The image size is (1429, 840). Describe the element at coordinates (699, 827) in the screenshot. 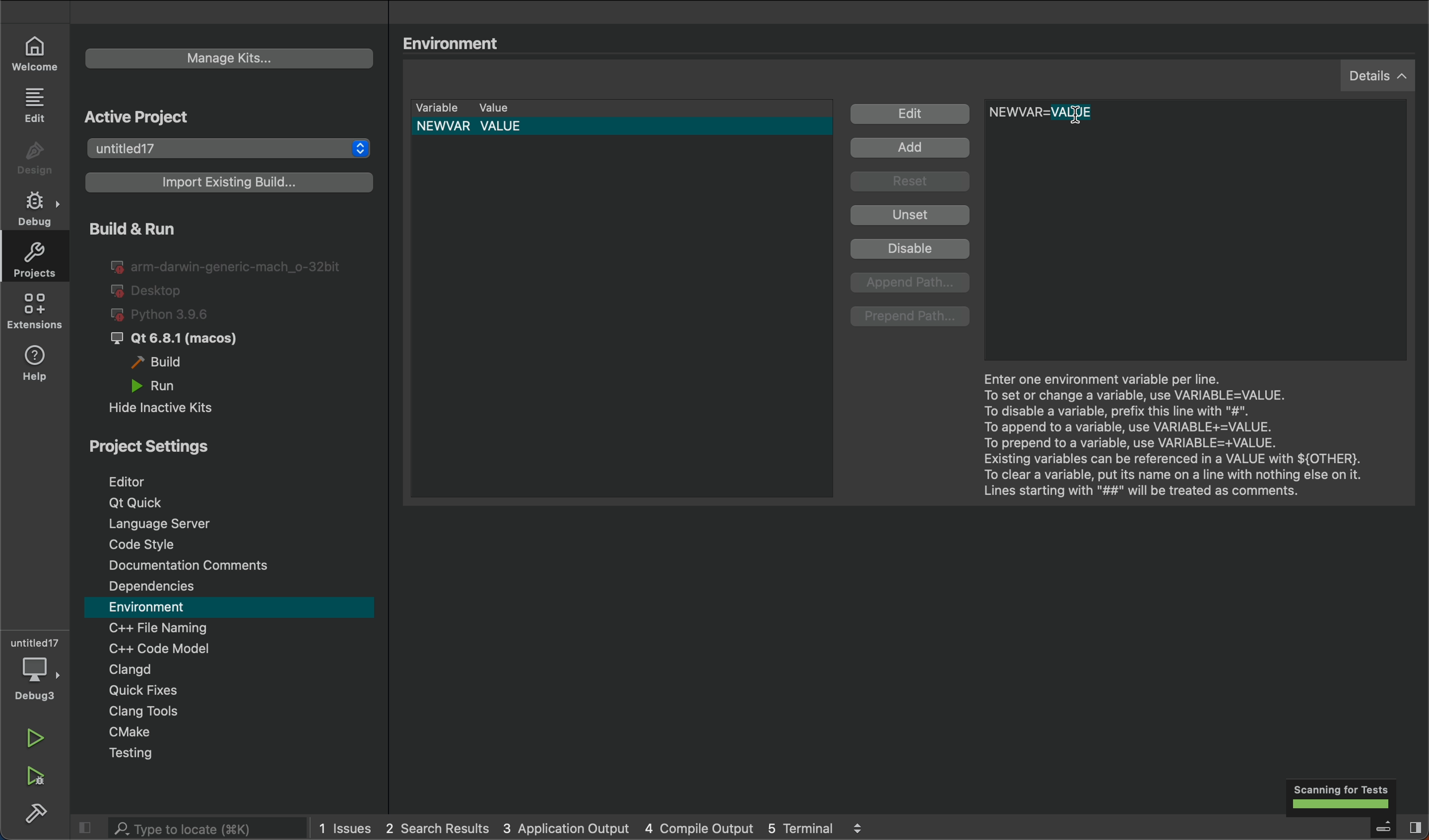

I see `4 compile output` at that location.